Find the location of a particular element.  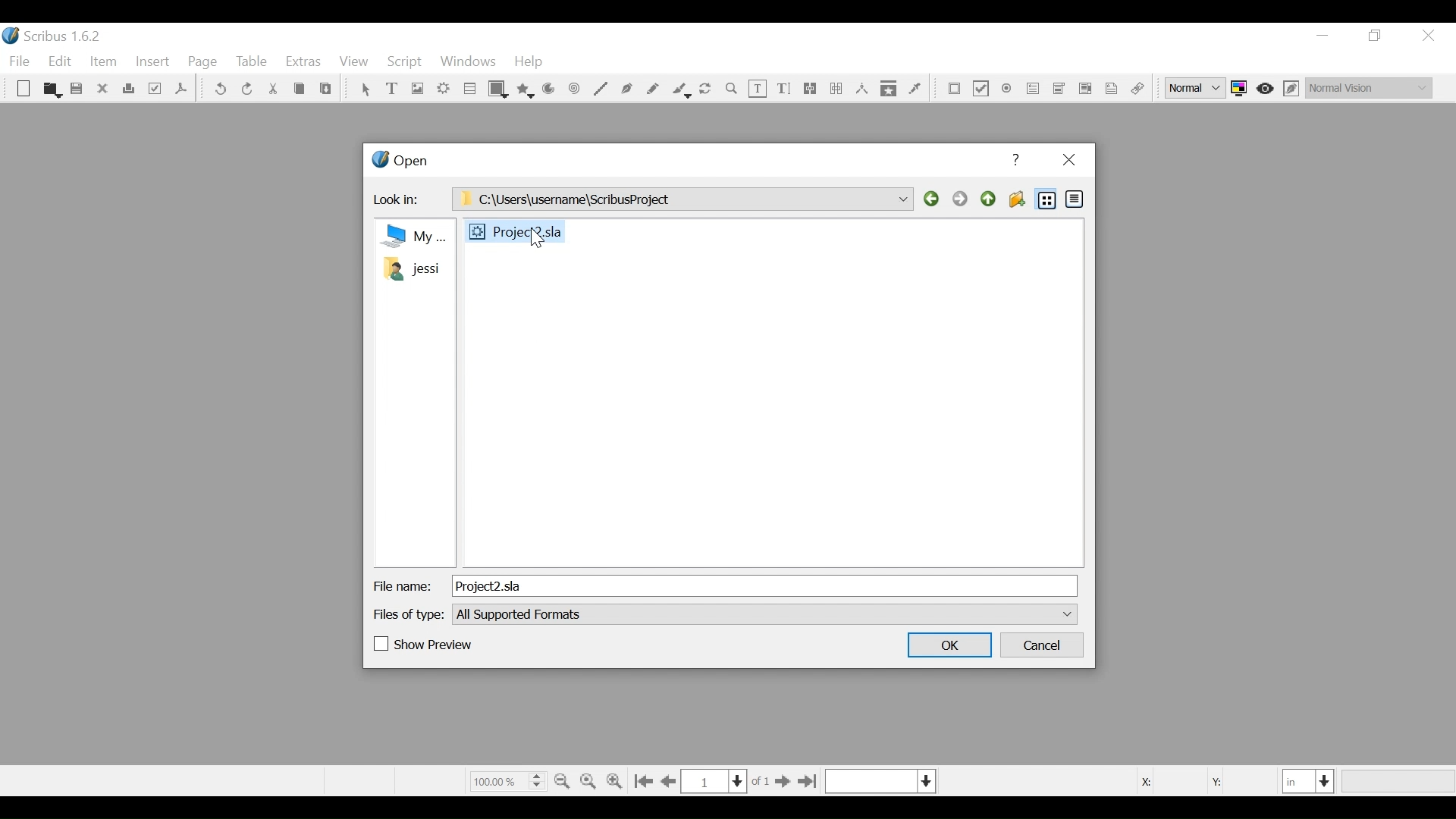

File of type dropdown menu is located at coordinates (764, 613).